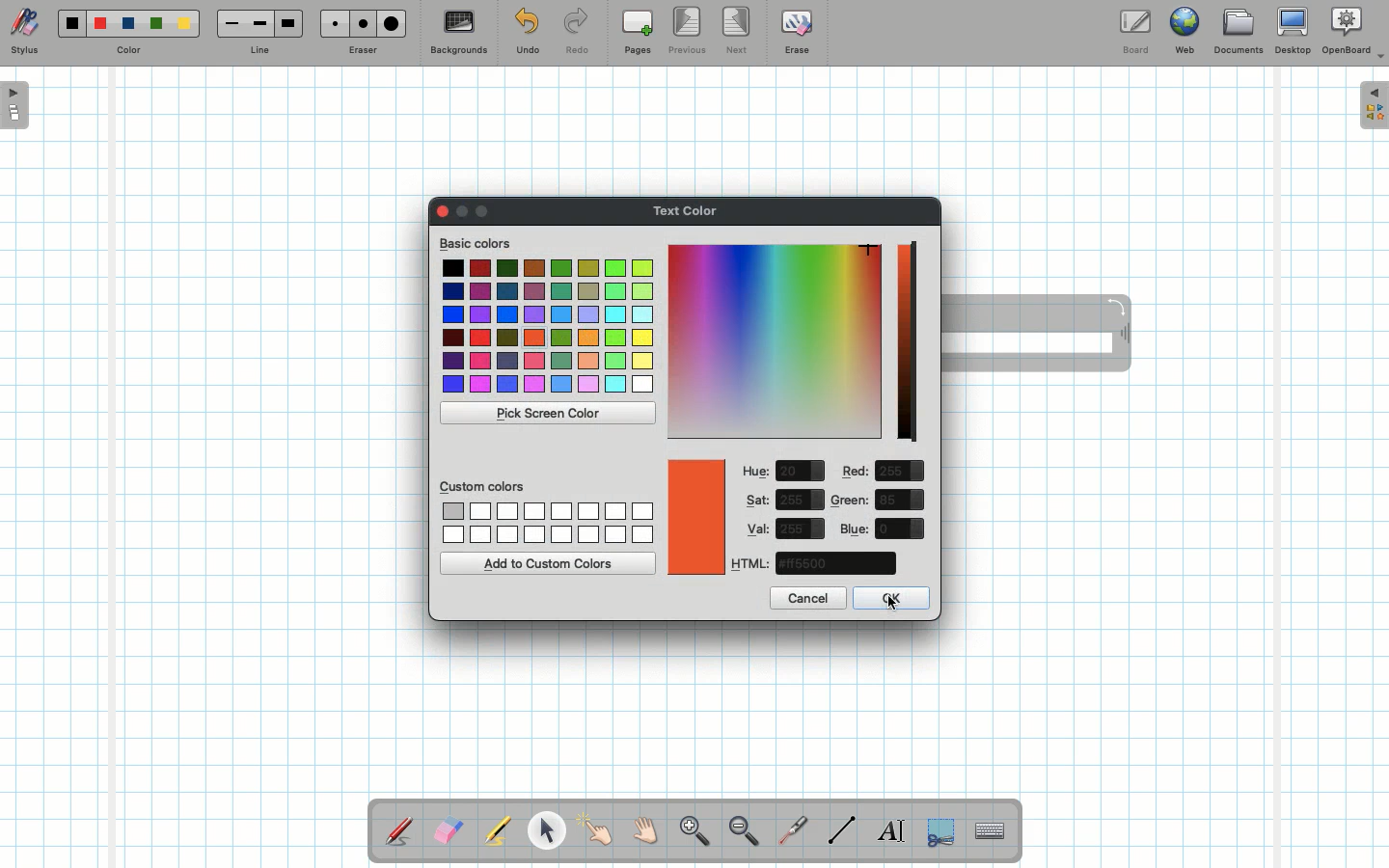 This screenshot has width=1389, height=868. What do you see at coordinates (851, 501) in the screenshot?
I see `Green` at bounding box center [851, 501].